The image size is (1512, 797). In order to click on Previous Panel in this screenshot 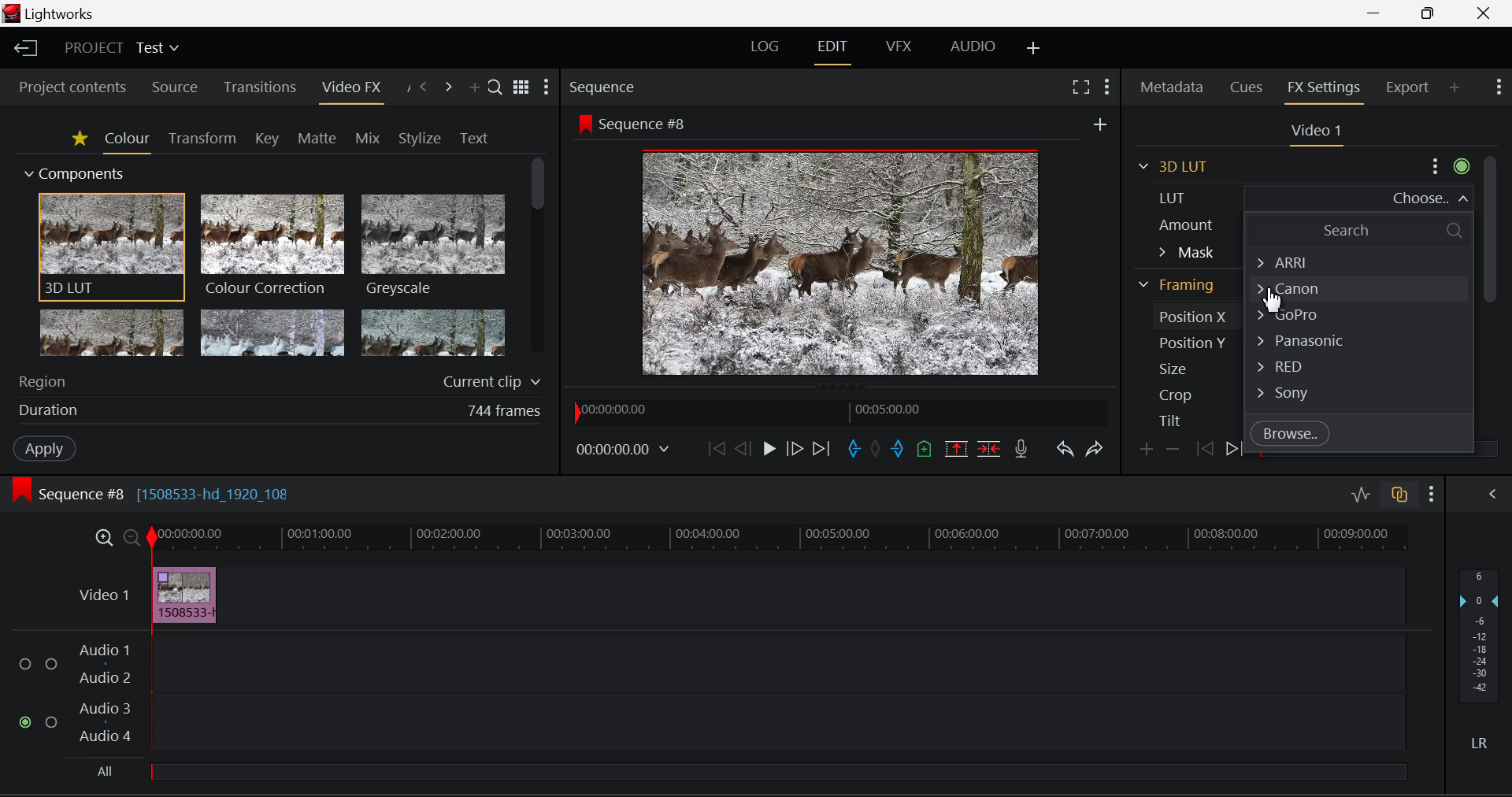, I will do `click(425, 85)`.